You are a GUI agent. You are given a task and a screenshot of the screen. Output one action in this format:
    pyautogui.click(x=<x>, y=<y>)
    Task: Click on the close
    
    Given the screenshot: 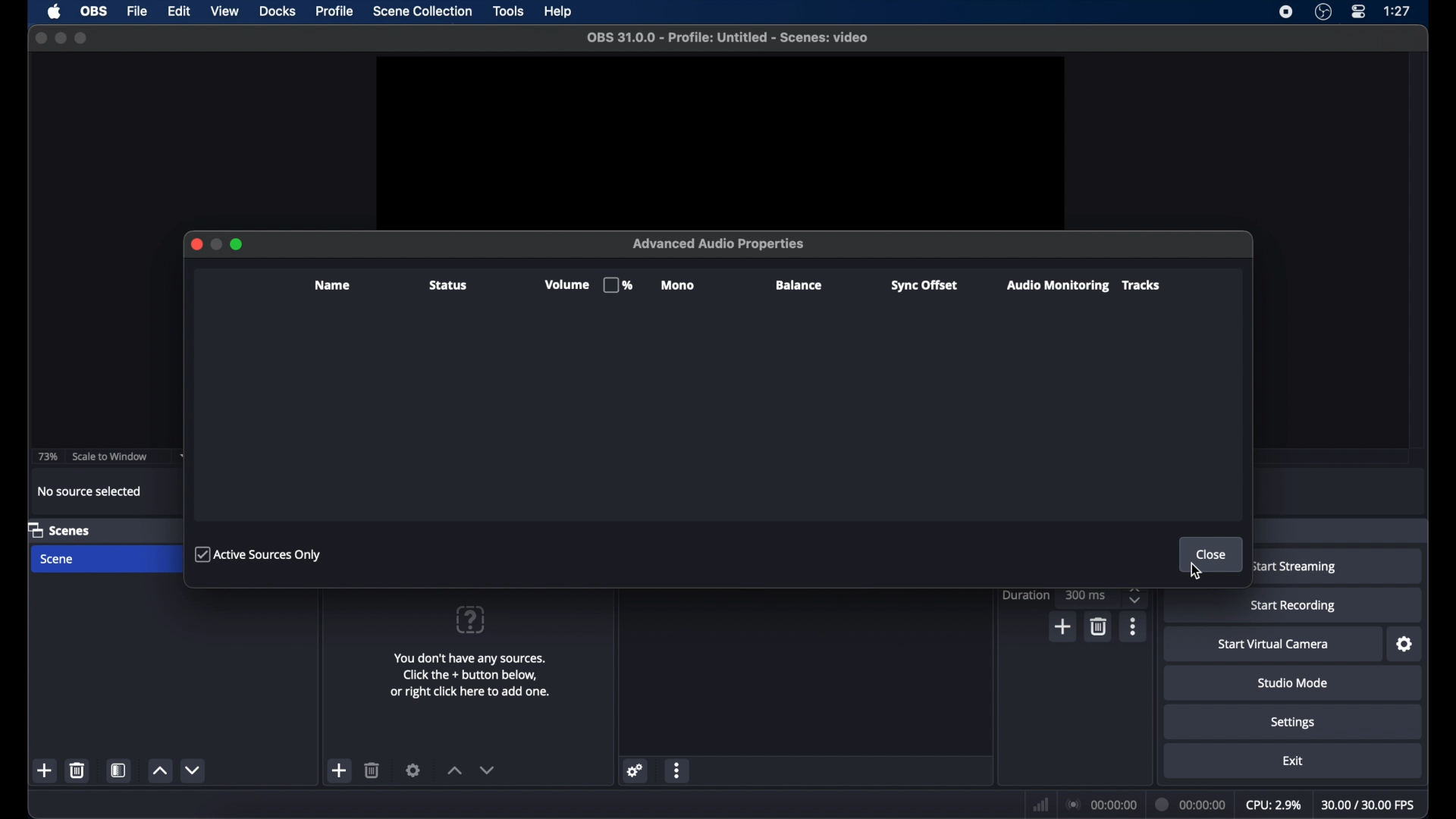 What is the action you would take?
    pyautogui.click(x=1212, y=554)
    